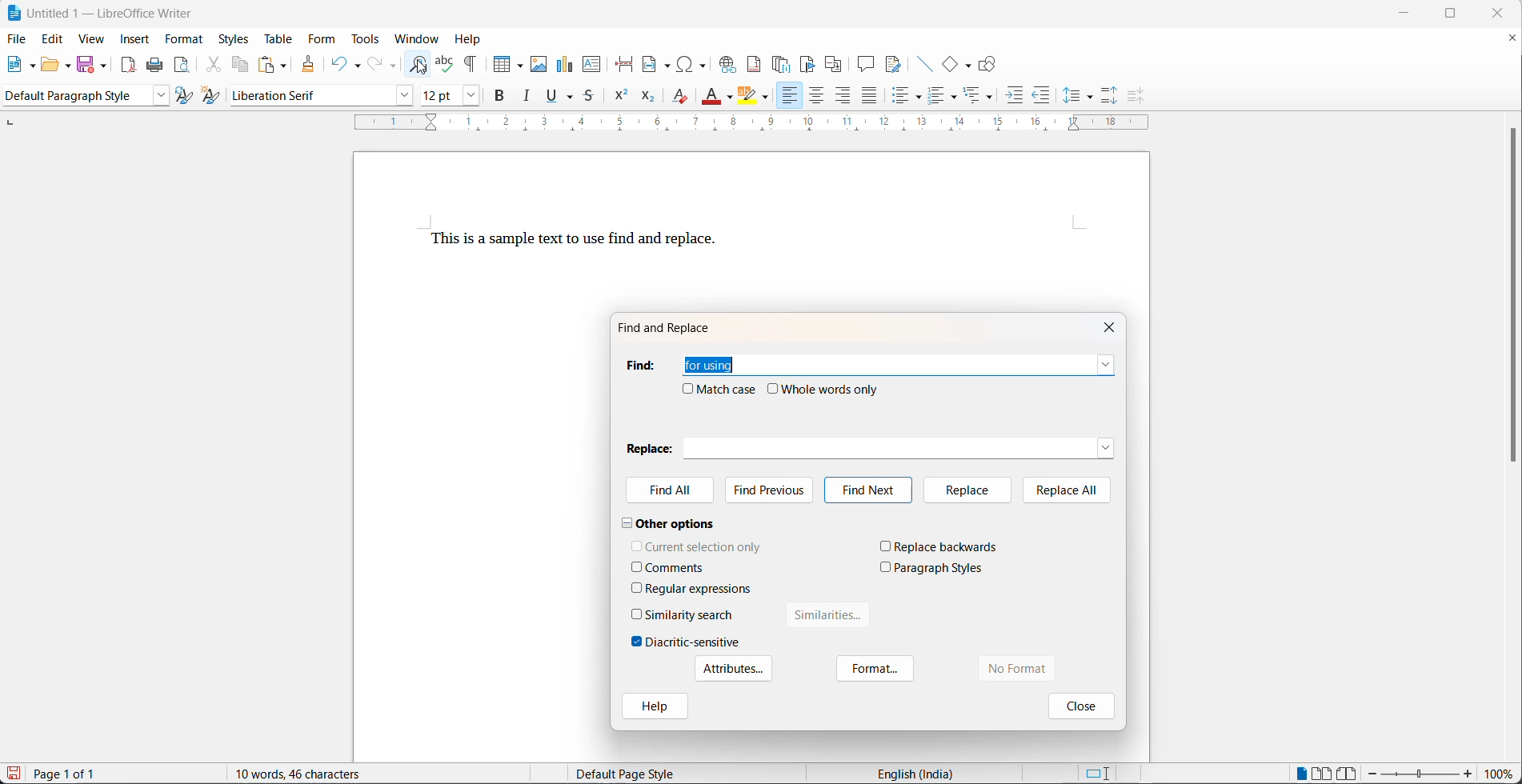 This screenshot has height=784, width=1522. Describe the element at coordinates (763, 124) in the screenshot. I see `scaling` at that location.